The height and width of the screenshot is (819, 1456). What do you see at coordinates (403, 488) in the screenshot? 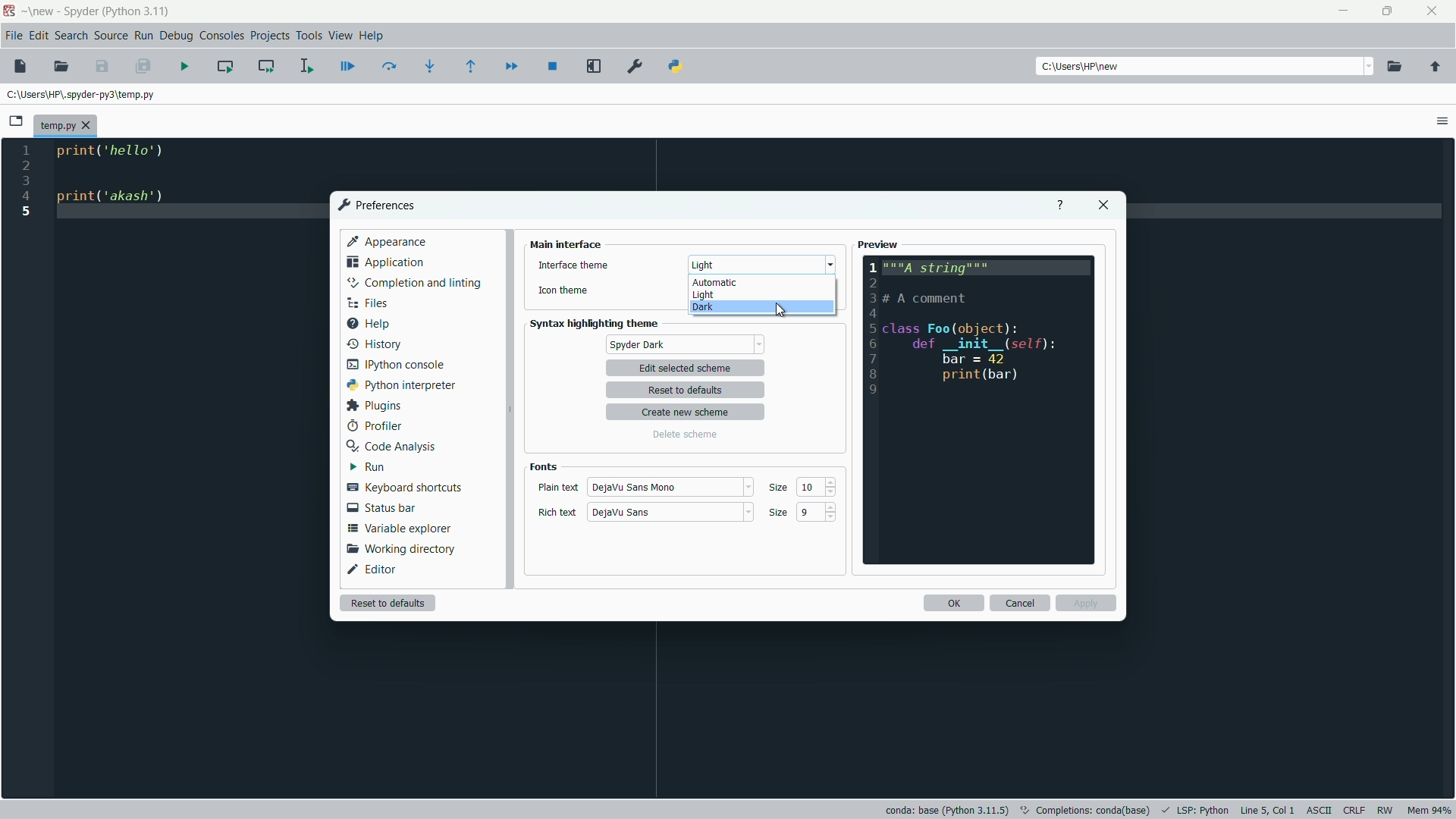
I see `keyboard shortcuts` at bounding box center [403, 488].